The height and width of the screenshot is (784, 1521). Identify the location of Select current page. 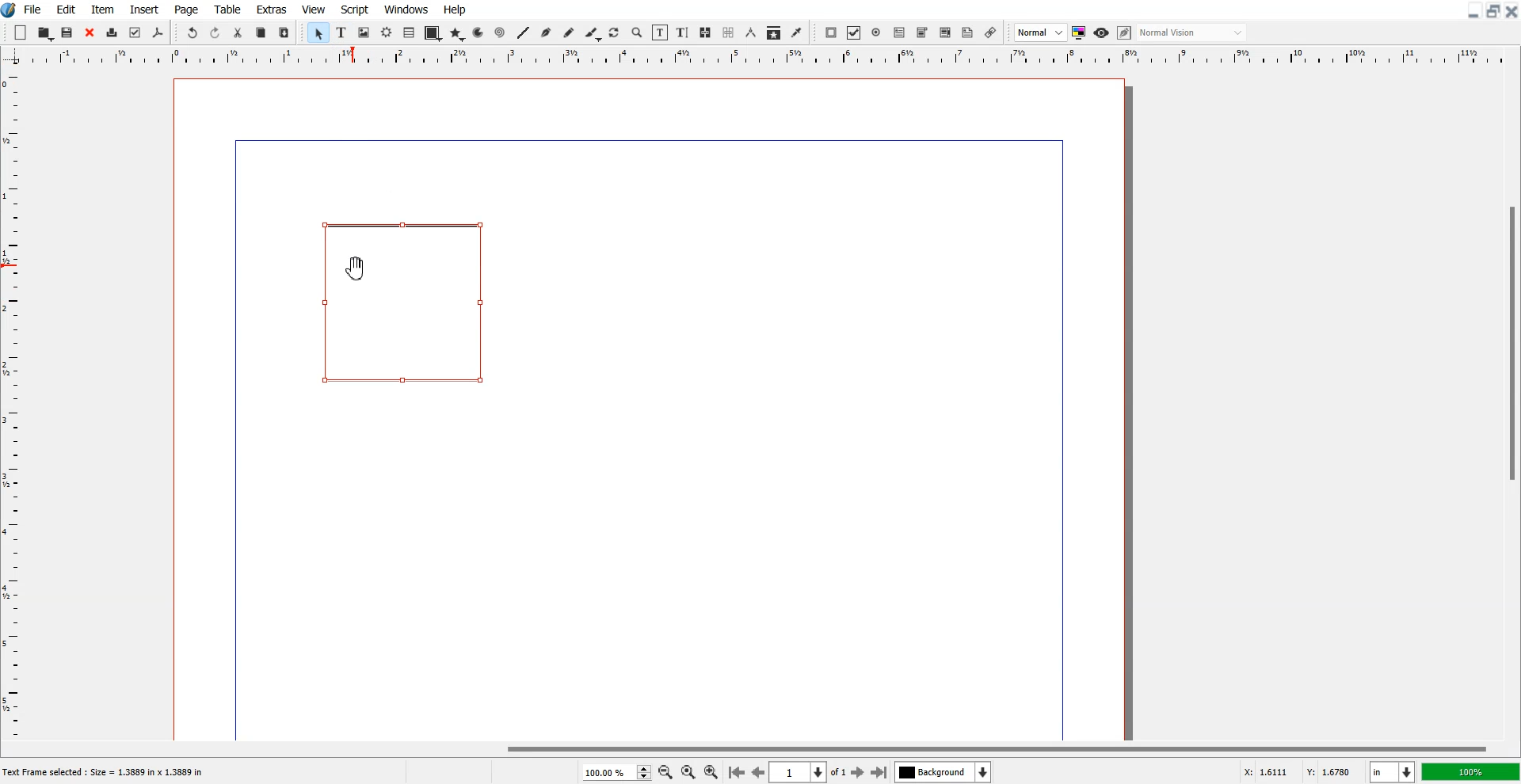
(808, 772).